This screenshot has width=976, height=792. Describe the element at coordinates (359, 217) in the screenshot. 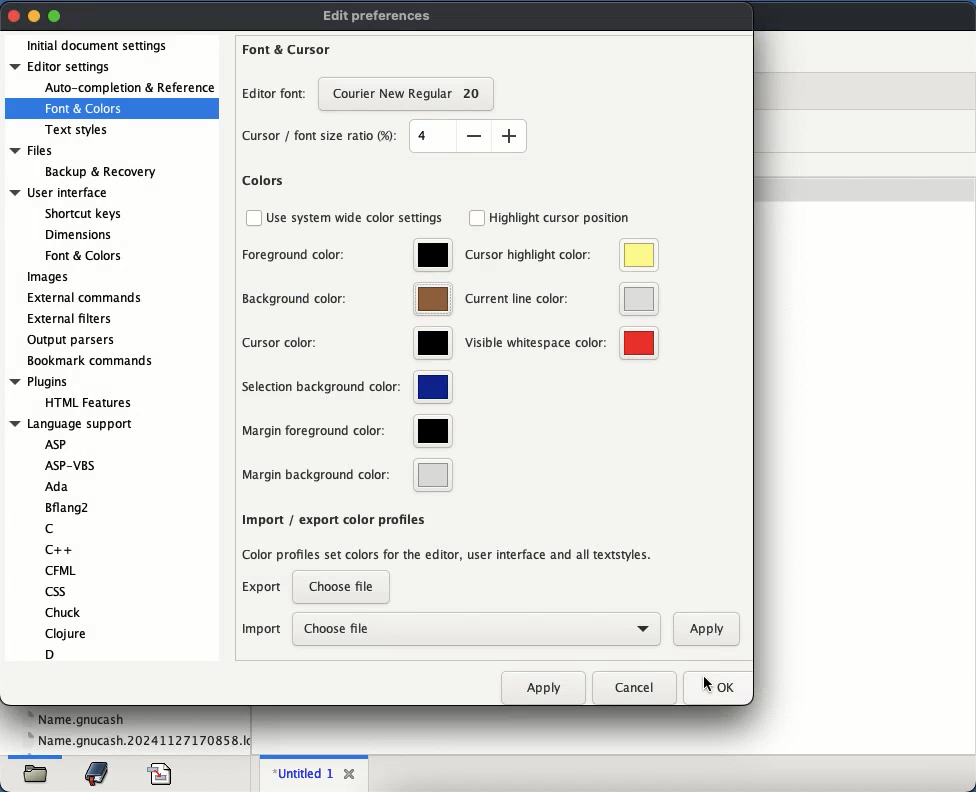

I see `use system wide color settings` at that location.